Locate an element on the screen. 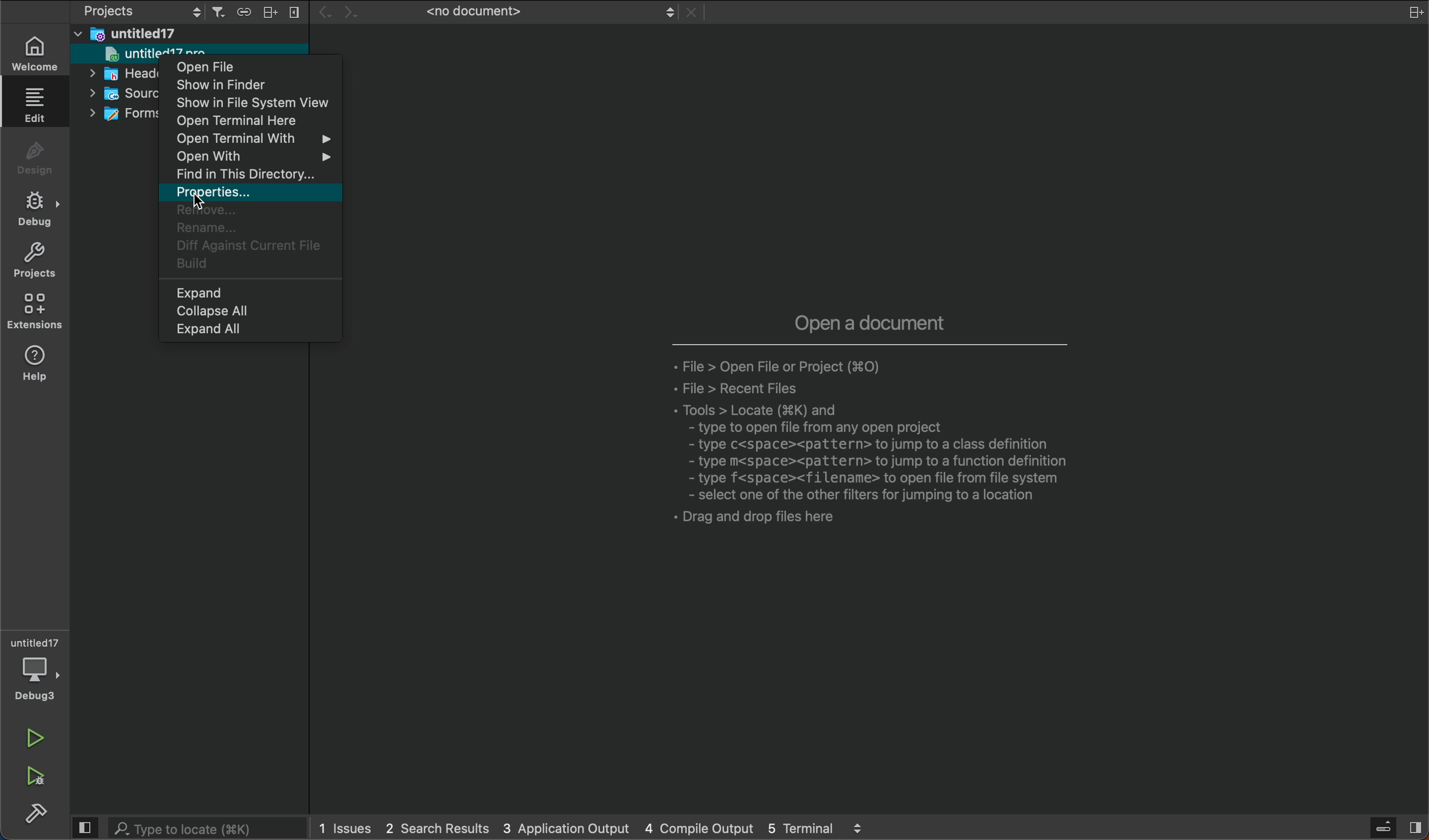  files and folders is located at coordinates (194, 35).